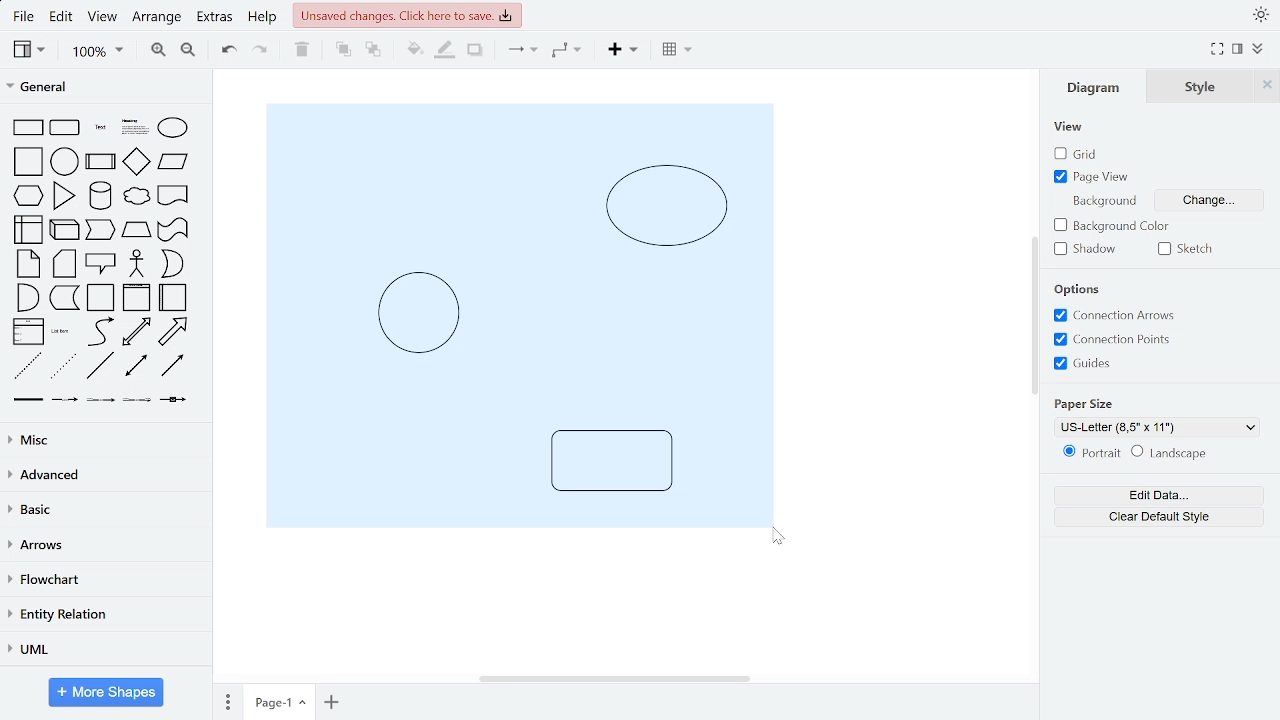  What do you see at coordinates (31, 229) in the screenshot?
I see `internal storage` at bounding box center [31, 229].